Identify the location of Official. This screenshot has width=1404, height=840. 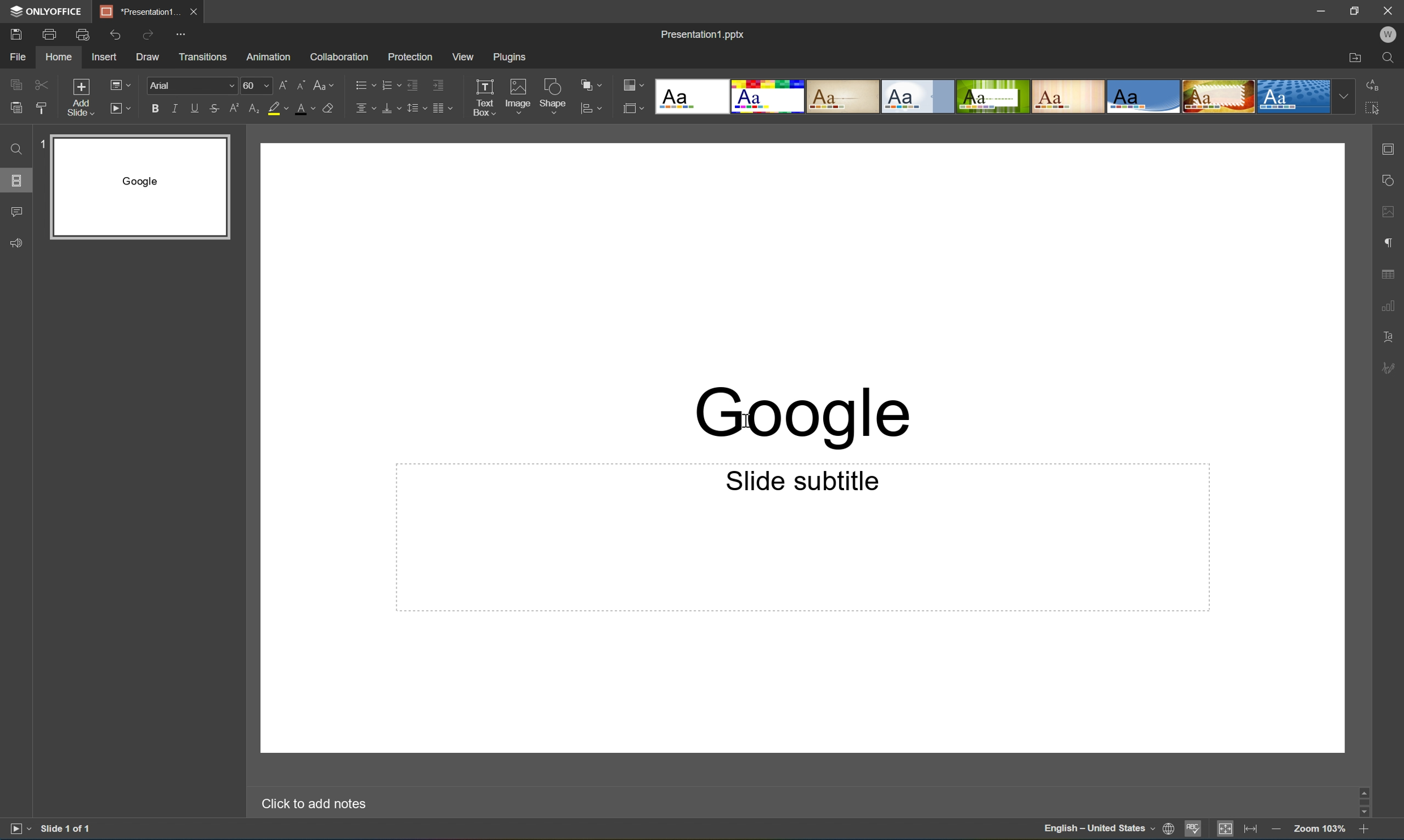
(918, 97).